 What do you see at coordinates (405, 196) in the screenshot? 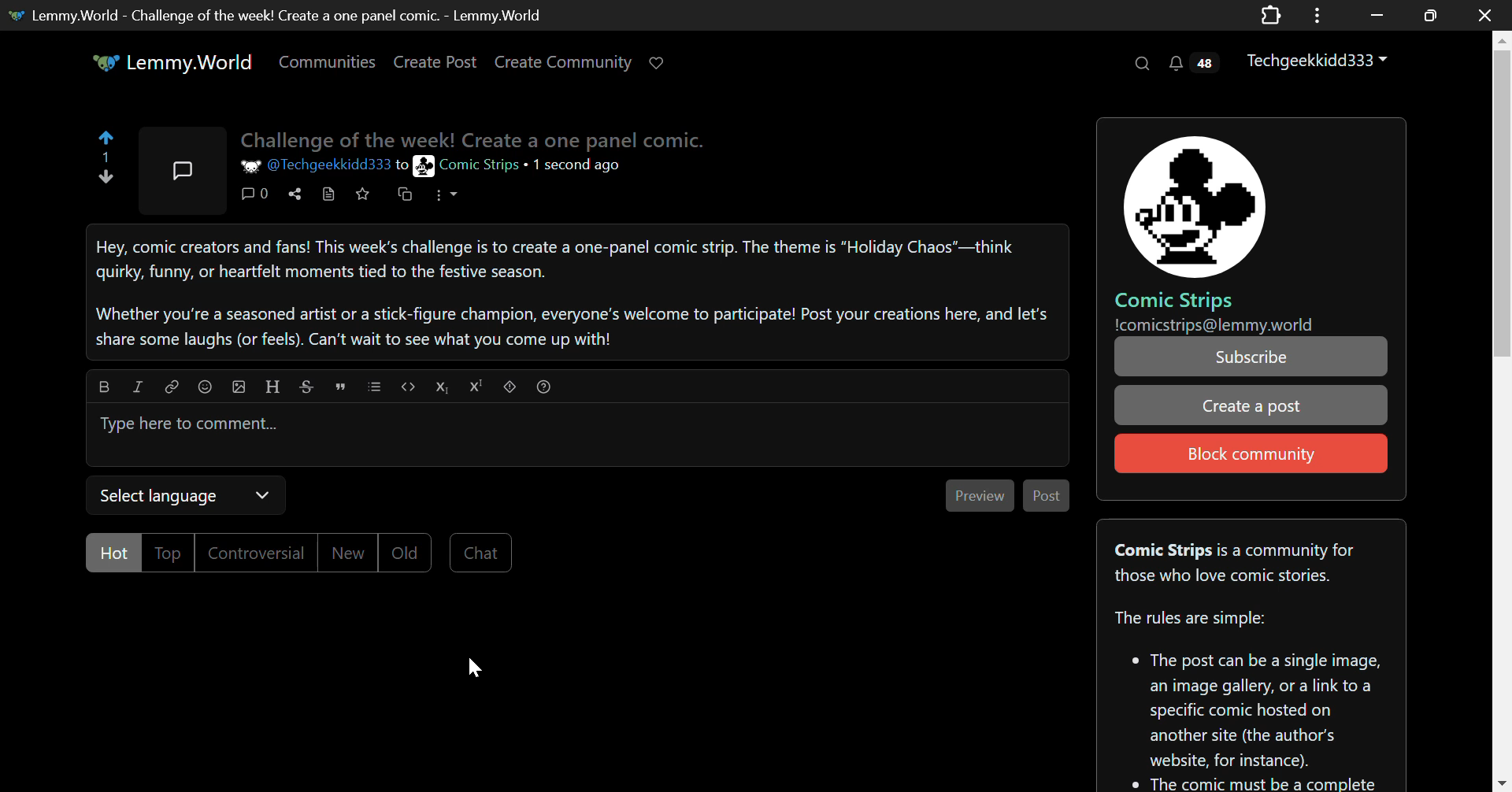
I see `Cross-post` at bounding box center [405, 196].